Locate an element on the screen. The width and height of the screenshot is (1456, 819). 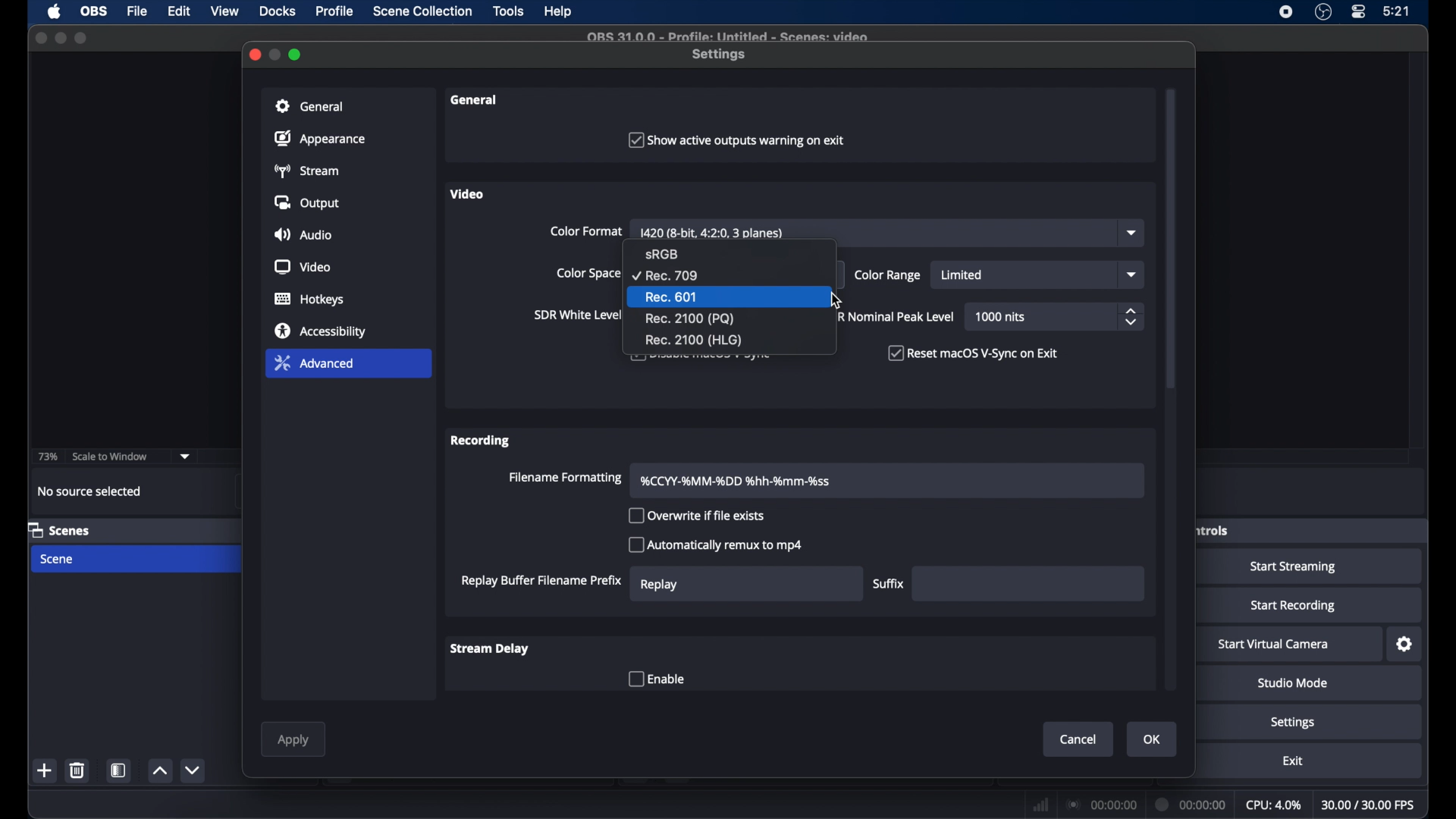
duration is located at coordinates (1192, 803).